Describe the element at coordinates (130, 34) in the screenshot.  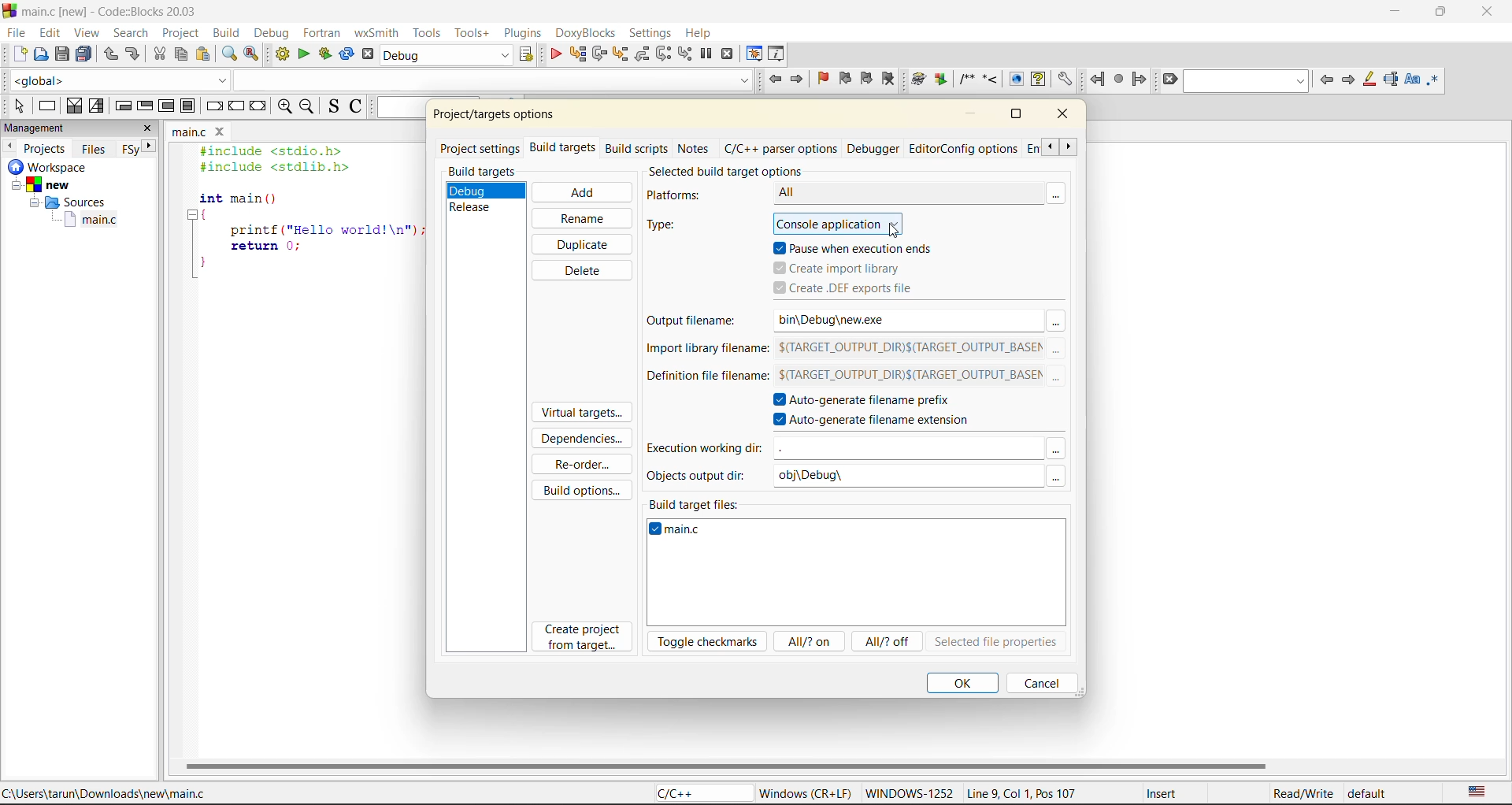
I see `search` at that location.